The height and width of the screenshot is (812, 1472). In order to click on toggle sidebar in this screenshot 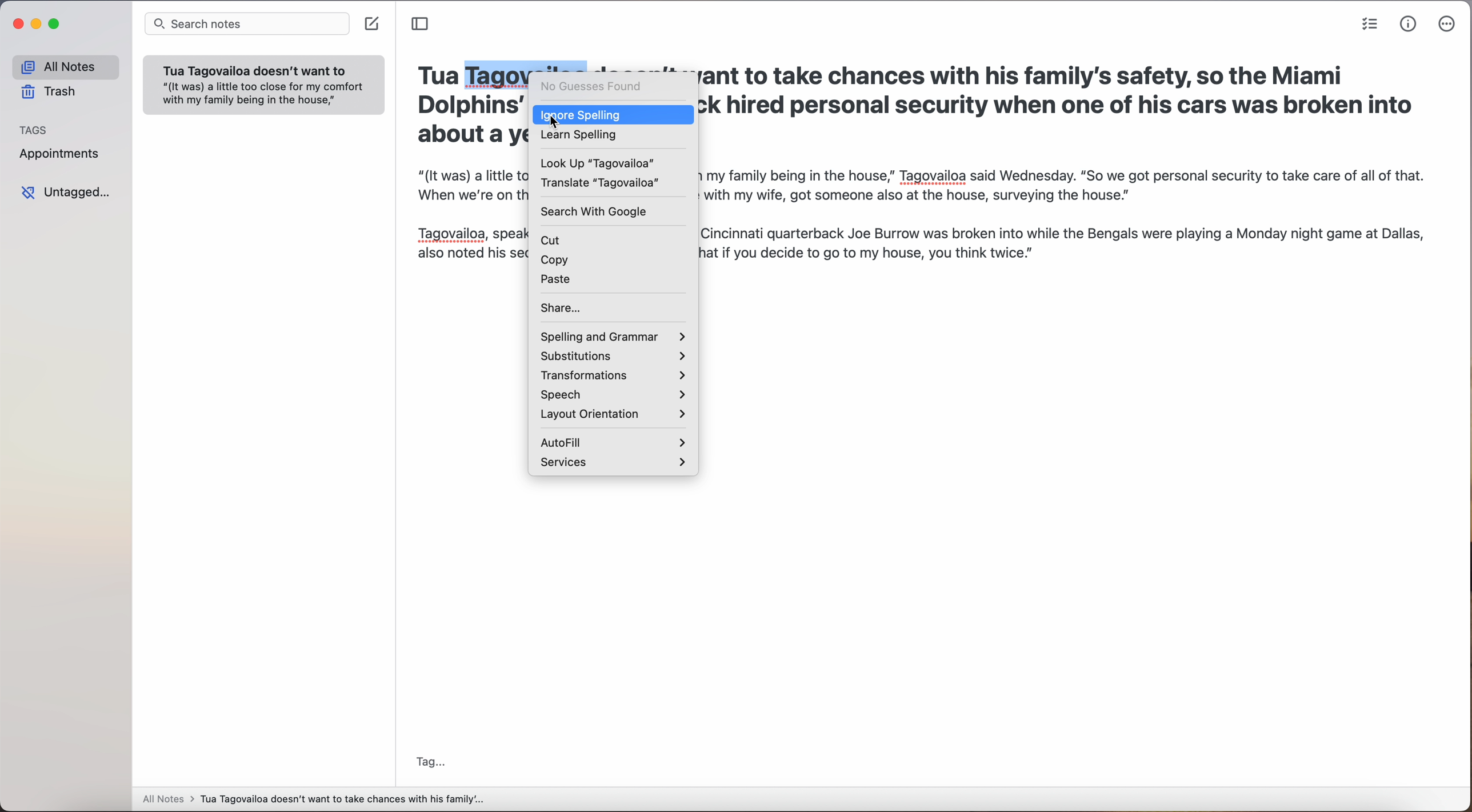, I will do `click(424, 25)`.